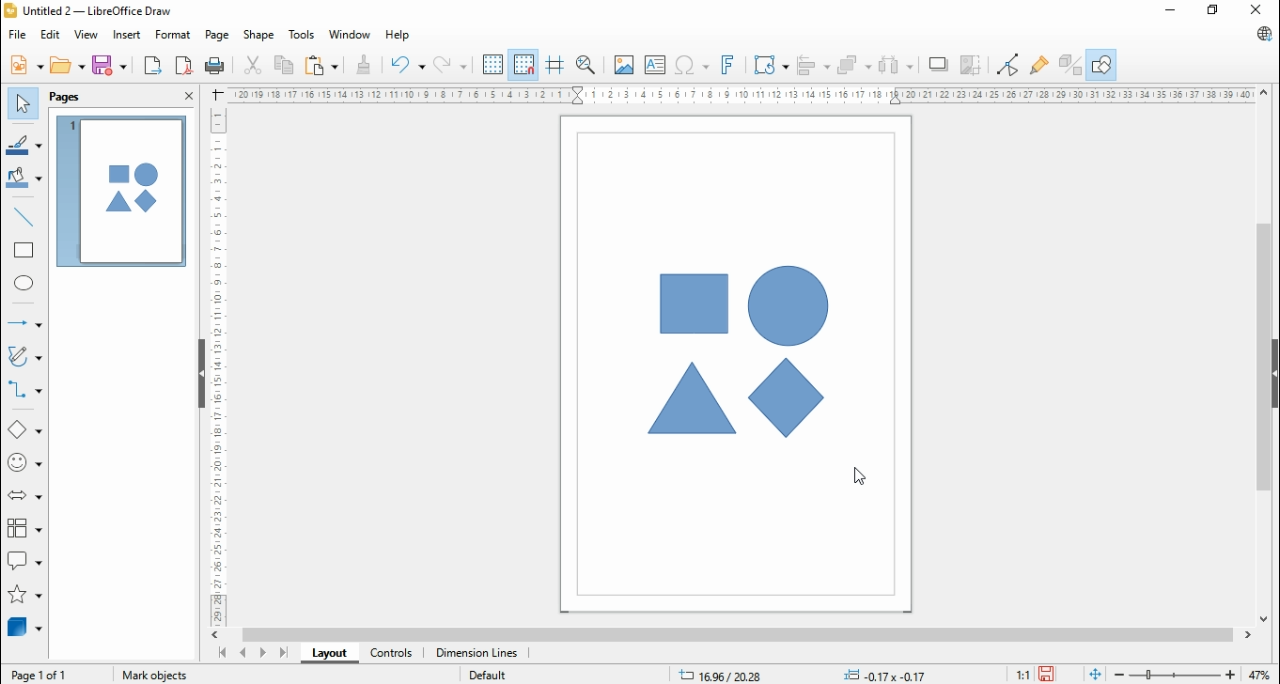  I want to click on vertical scale, so click(215, 365).